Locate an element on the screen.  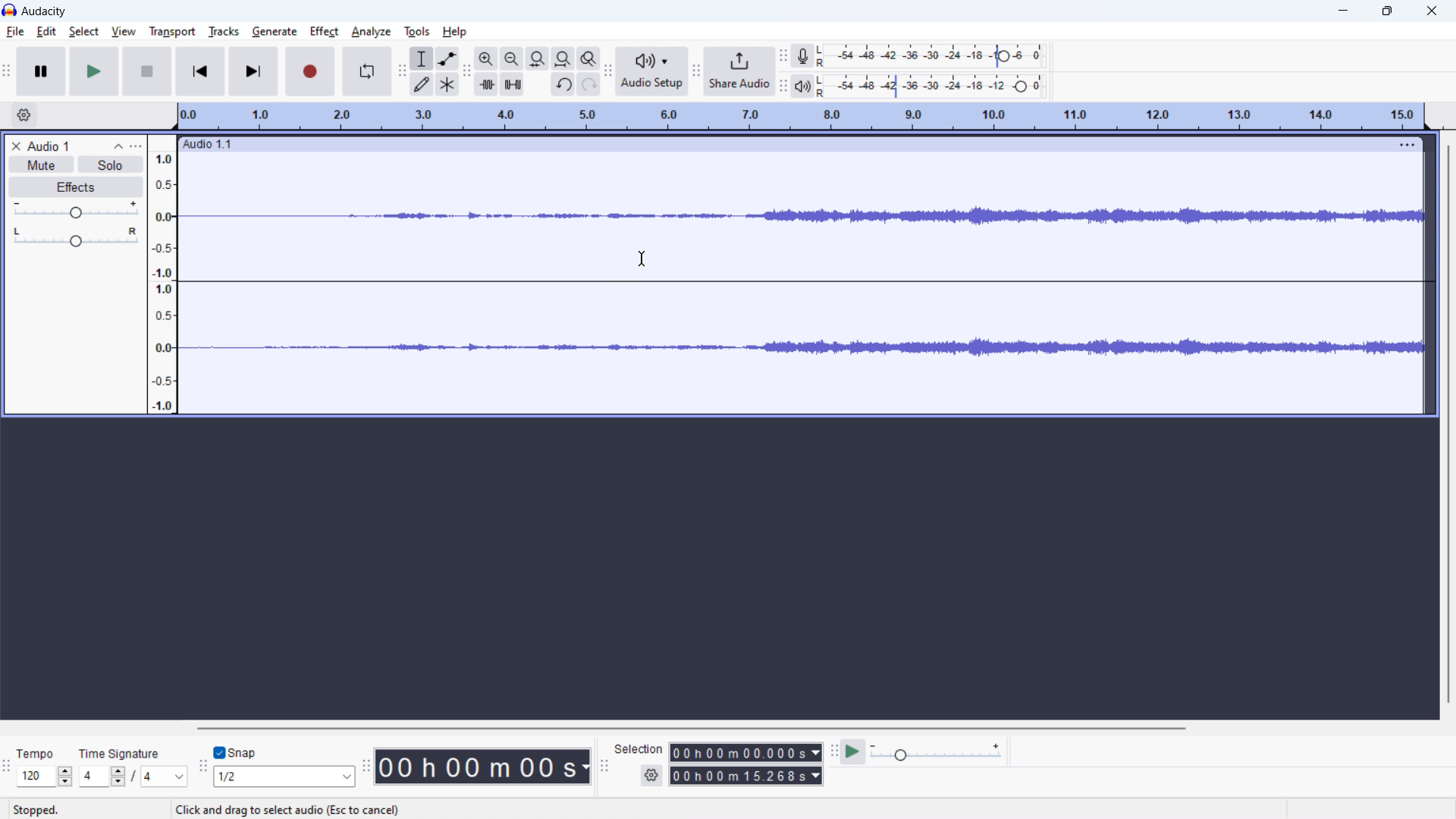
mute is located at coordinates (41, 164).